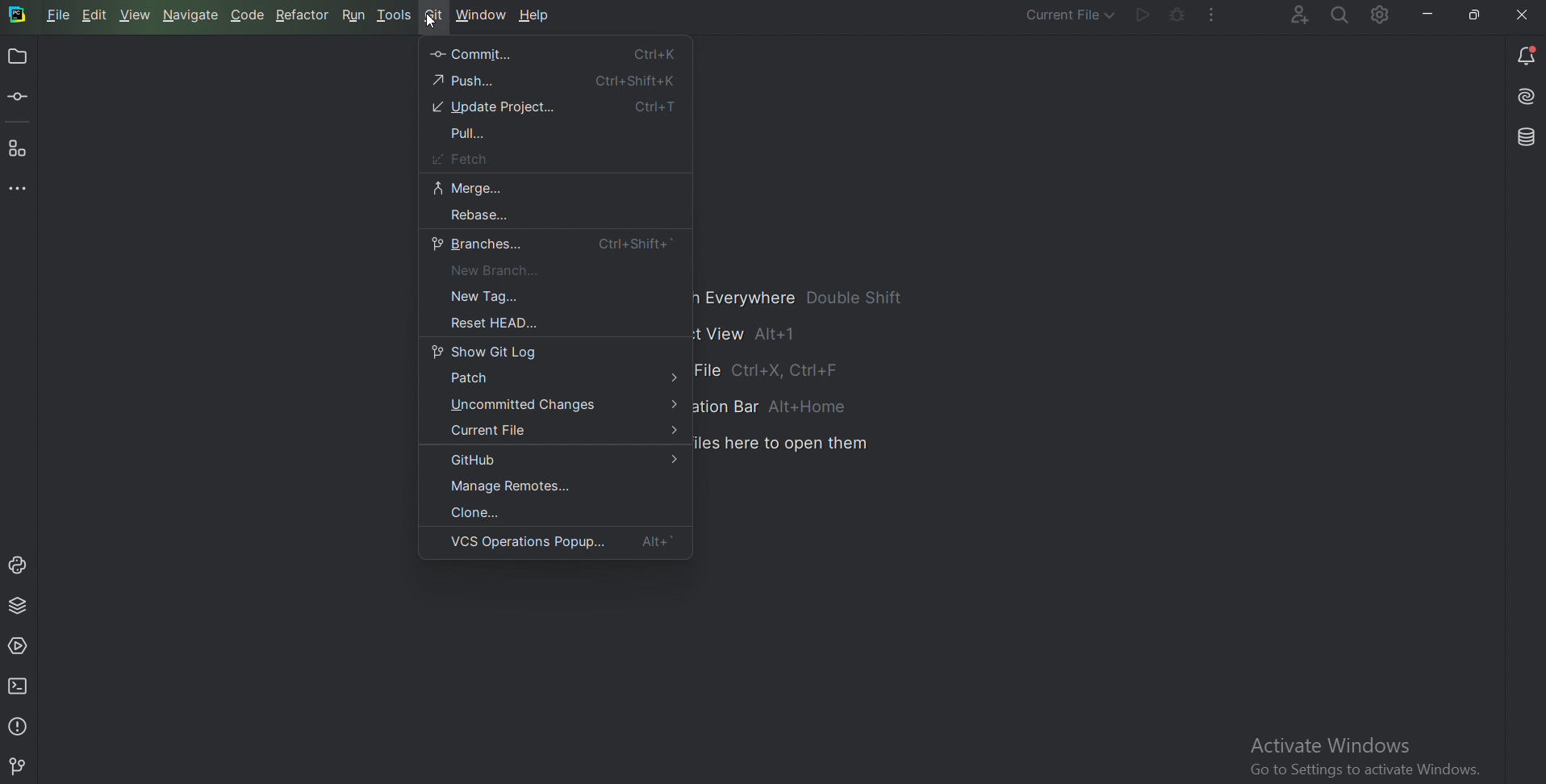 The height and width of the screenshot is (784, 1546). Describe the element at coordinates (557, 80) in the screenshot. I see `Push ` at that location.